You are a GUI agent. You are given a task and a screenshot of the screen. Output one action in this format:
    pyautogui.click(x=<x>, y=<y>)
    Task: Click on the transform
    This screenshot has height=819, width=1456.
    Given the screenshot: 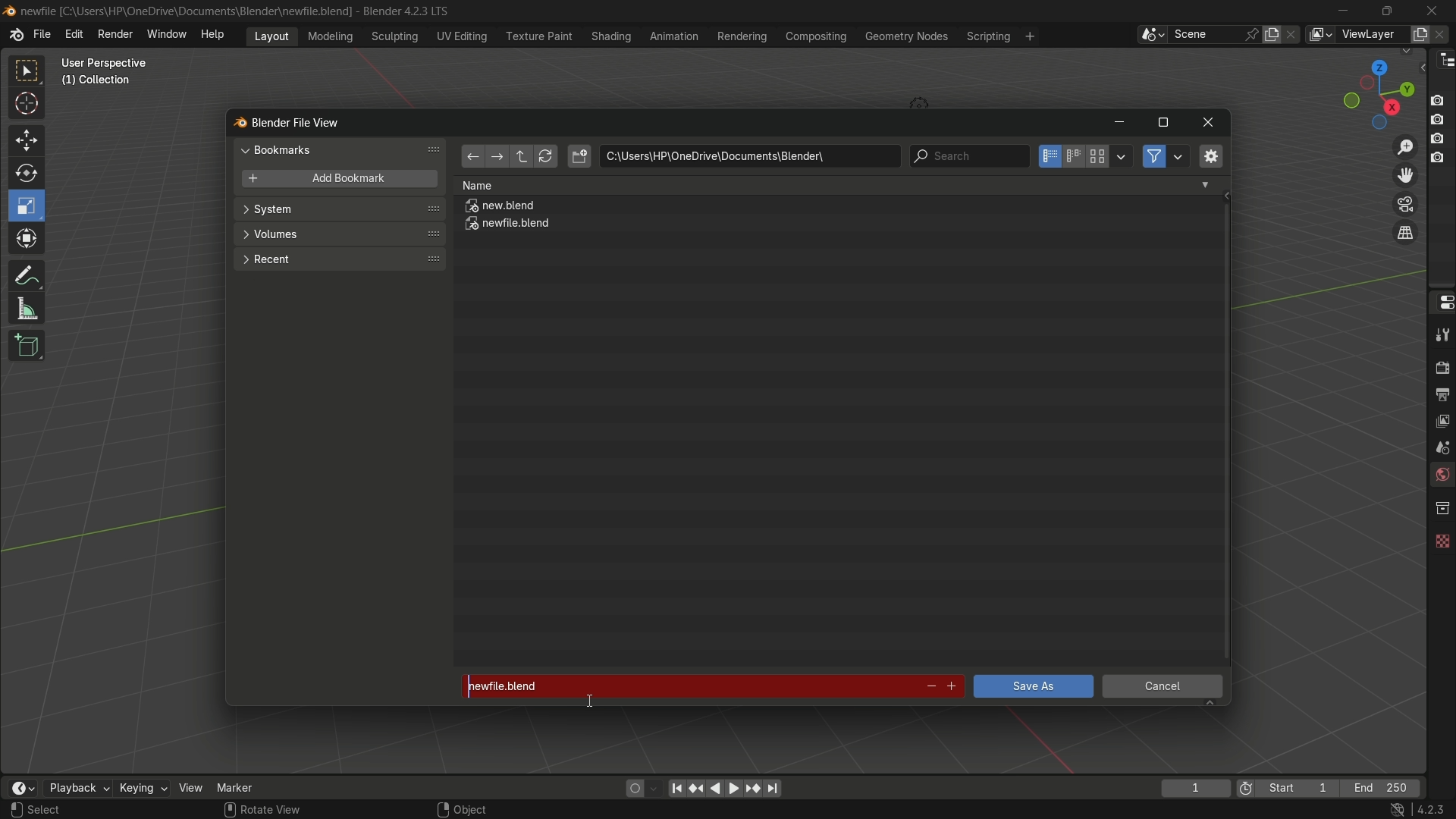 What is the action you would take?
    pyautogui.click(x=28, y=240)
    